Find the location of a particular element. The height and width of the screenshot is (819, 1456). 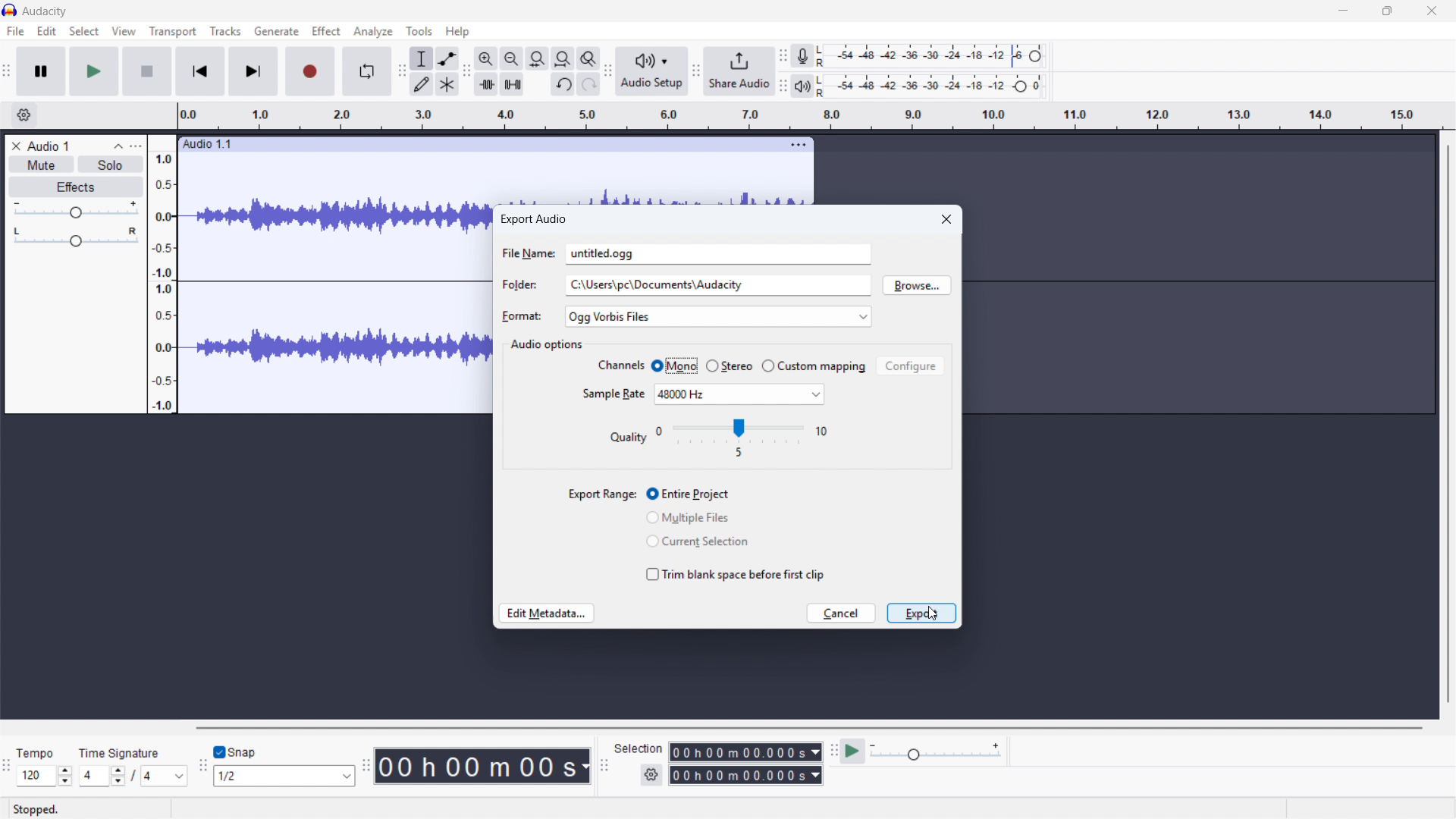

file  is located at coordinates (15, 33).